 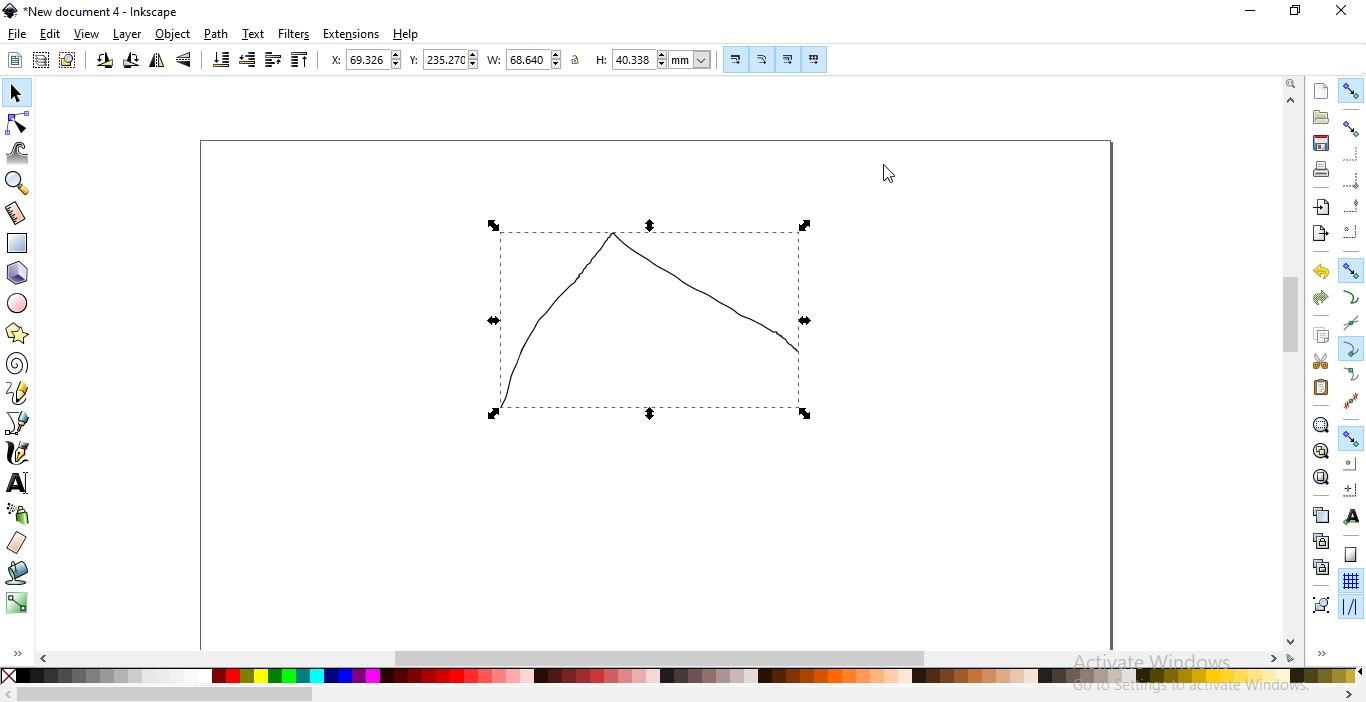 I want to click on snapping centers of bounding boxes, so click(x=1351, y=231).